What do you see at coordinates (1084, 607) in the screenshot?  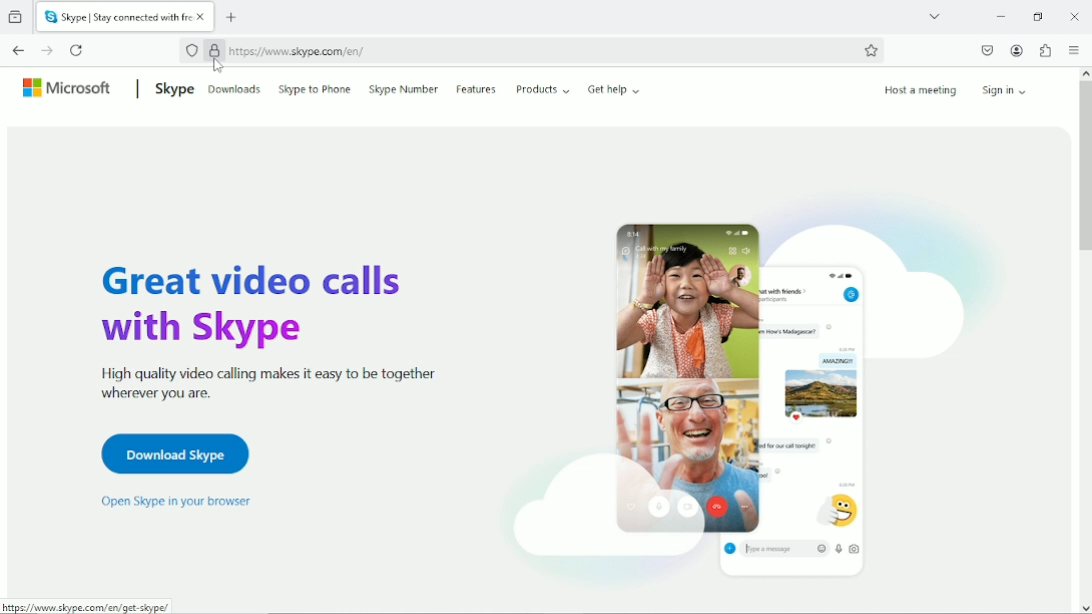 I see `scroll down` at bounding box center [1084, 607].